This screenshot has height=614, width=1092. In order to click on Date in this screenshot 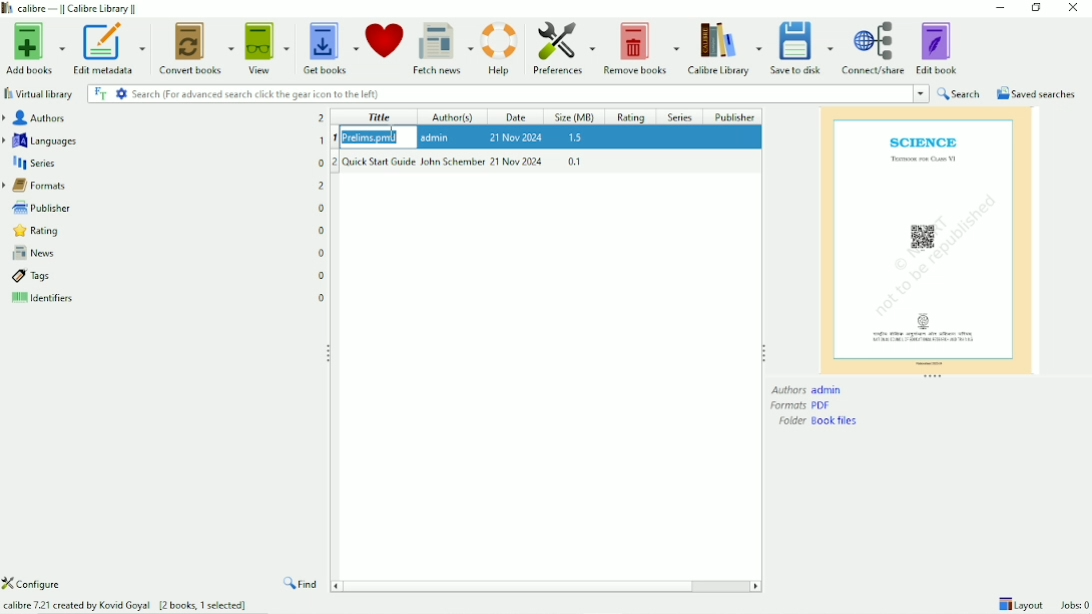, I will do `click(519, 117)`.